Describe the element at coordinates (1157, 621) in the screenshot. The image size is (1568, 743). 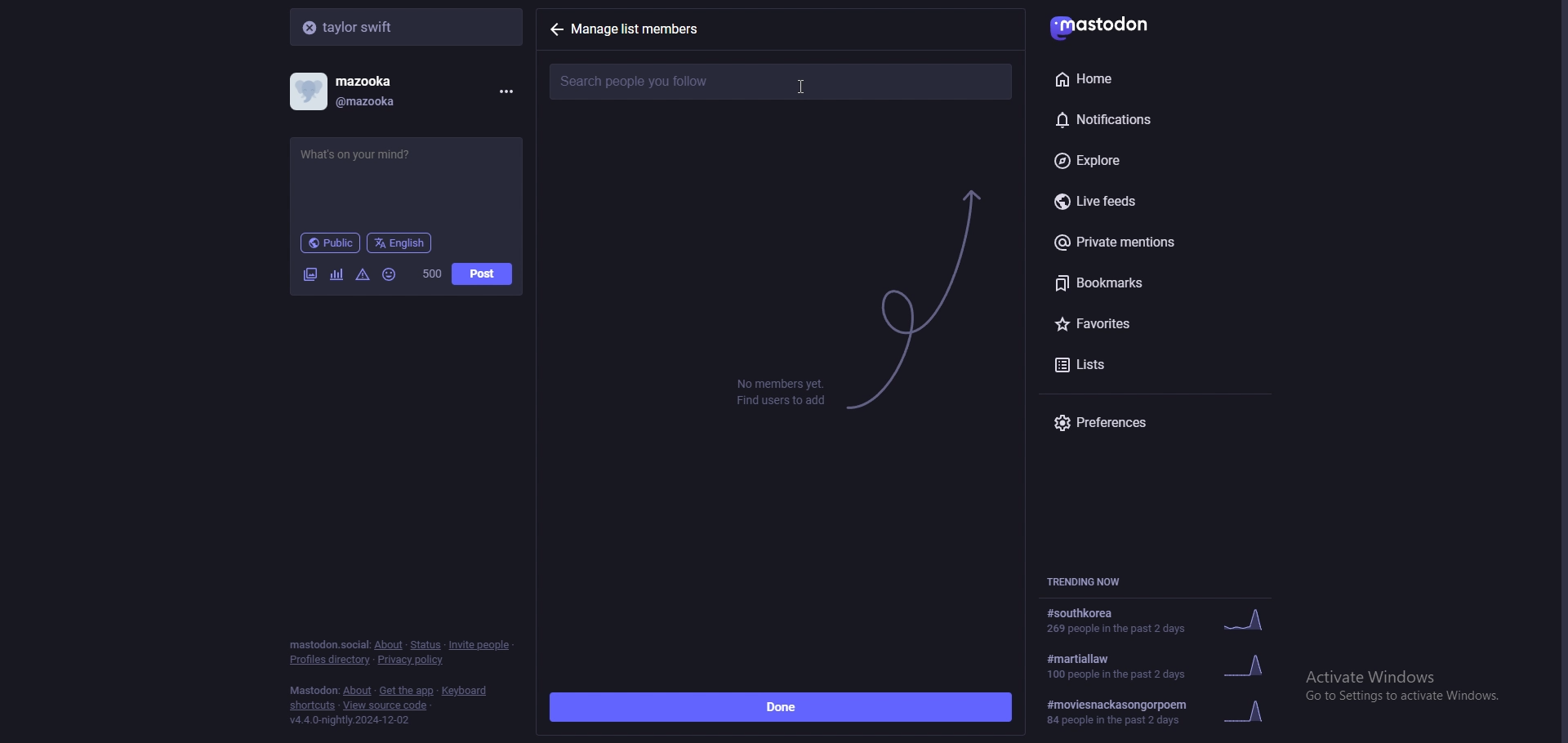
I see `trending` at that location.